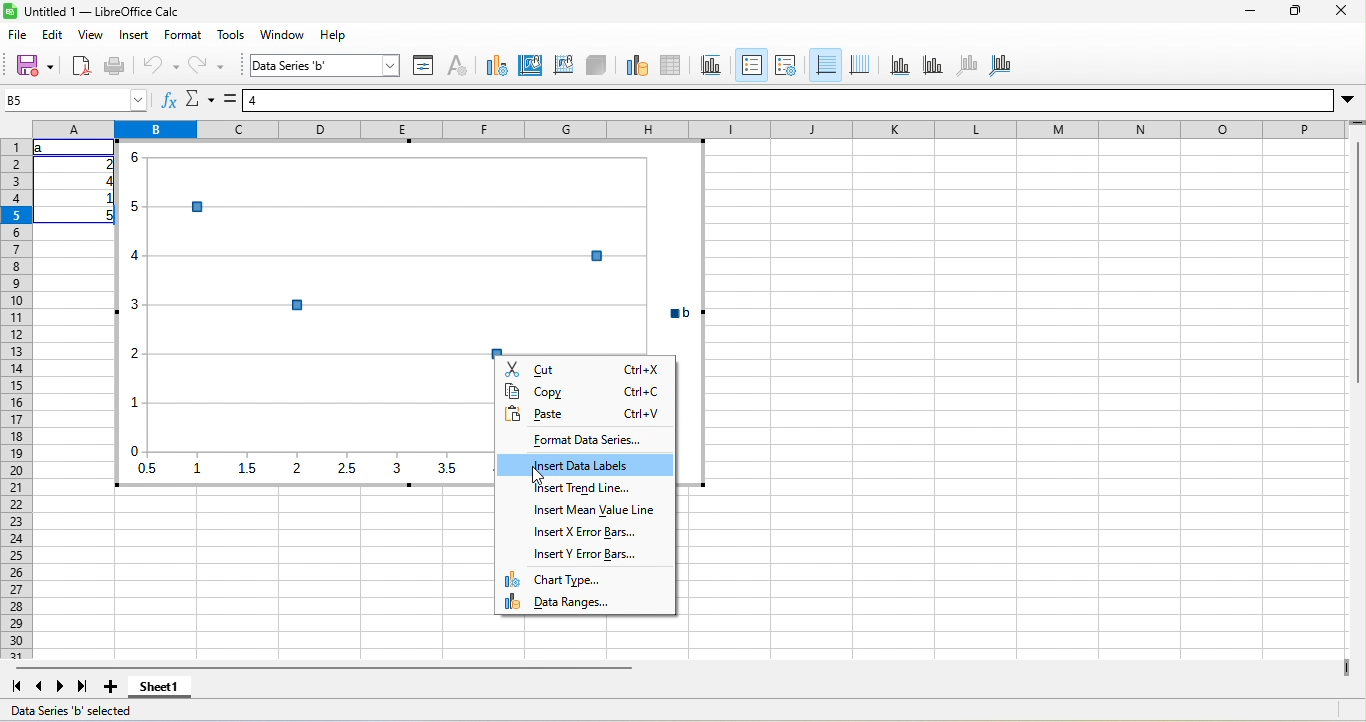 The height and width of the screenshot is (722, 1366). Describe the element at coordinates (1000, 67) in the screenshot. I see `all axes` at that location.